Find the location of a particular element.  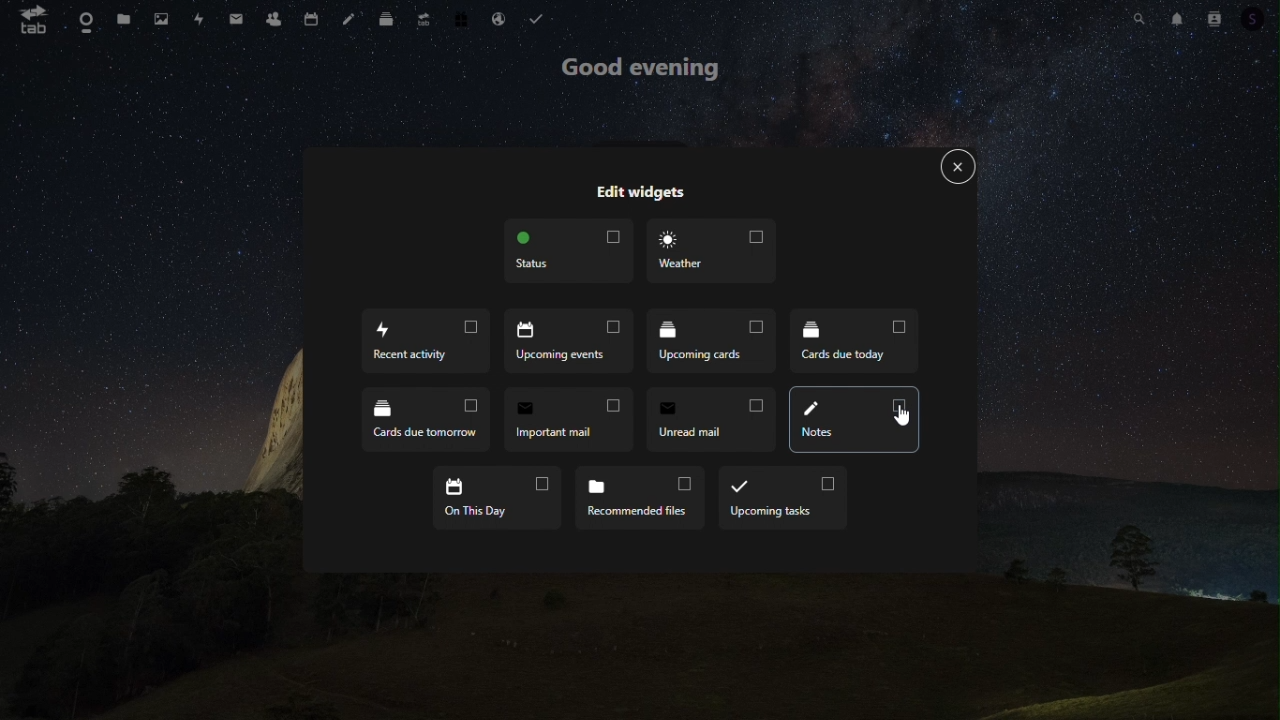

Important mail  is located at coordinates (569, 420).